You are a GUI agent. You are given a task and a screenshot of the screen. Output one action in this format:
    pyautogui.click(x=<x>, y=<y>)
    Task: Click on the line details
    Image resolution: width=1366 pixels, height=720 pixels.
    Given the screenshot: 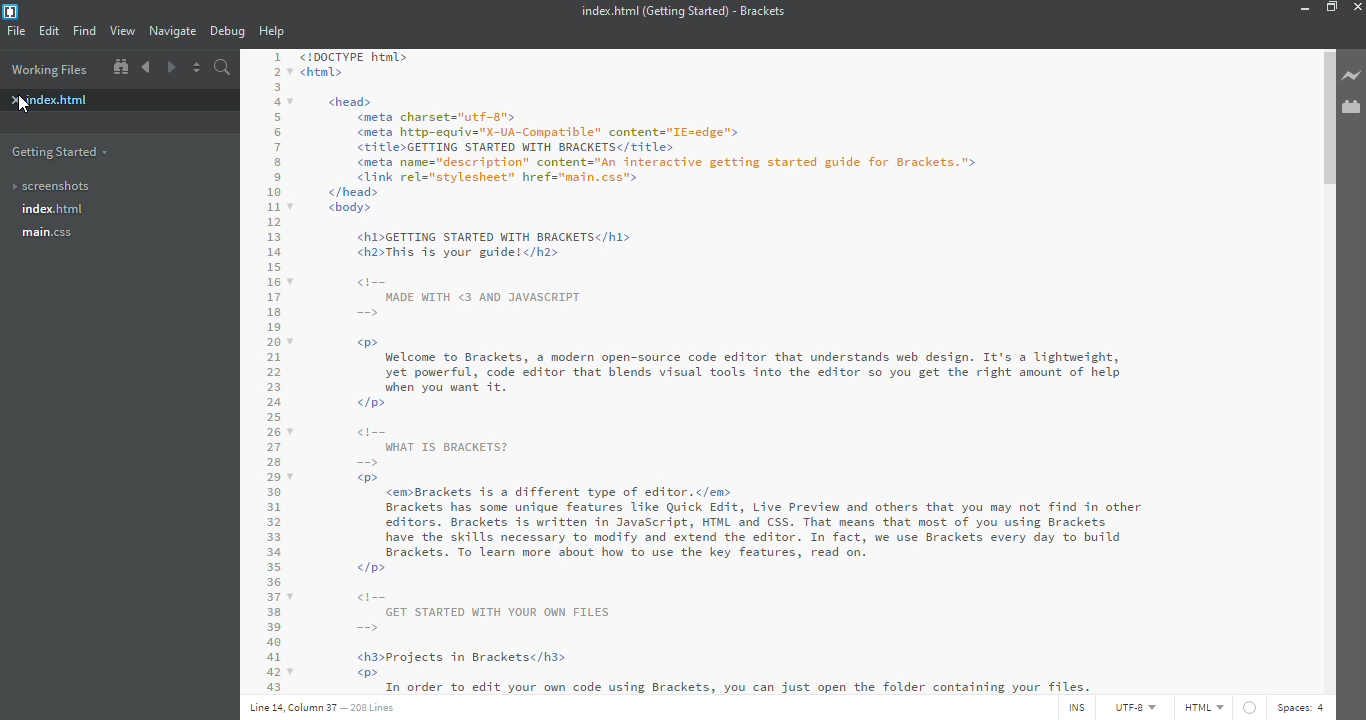 What is the action you would take?
    pyautogui.click(x=331, y=709)
    